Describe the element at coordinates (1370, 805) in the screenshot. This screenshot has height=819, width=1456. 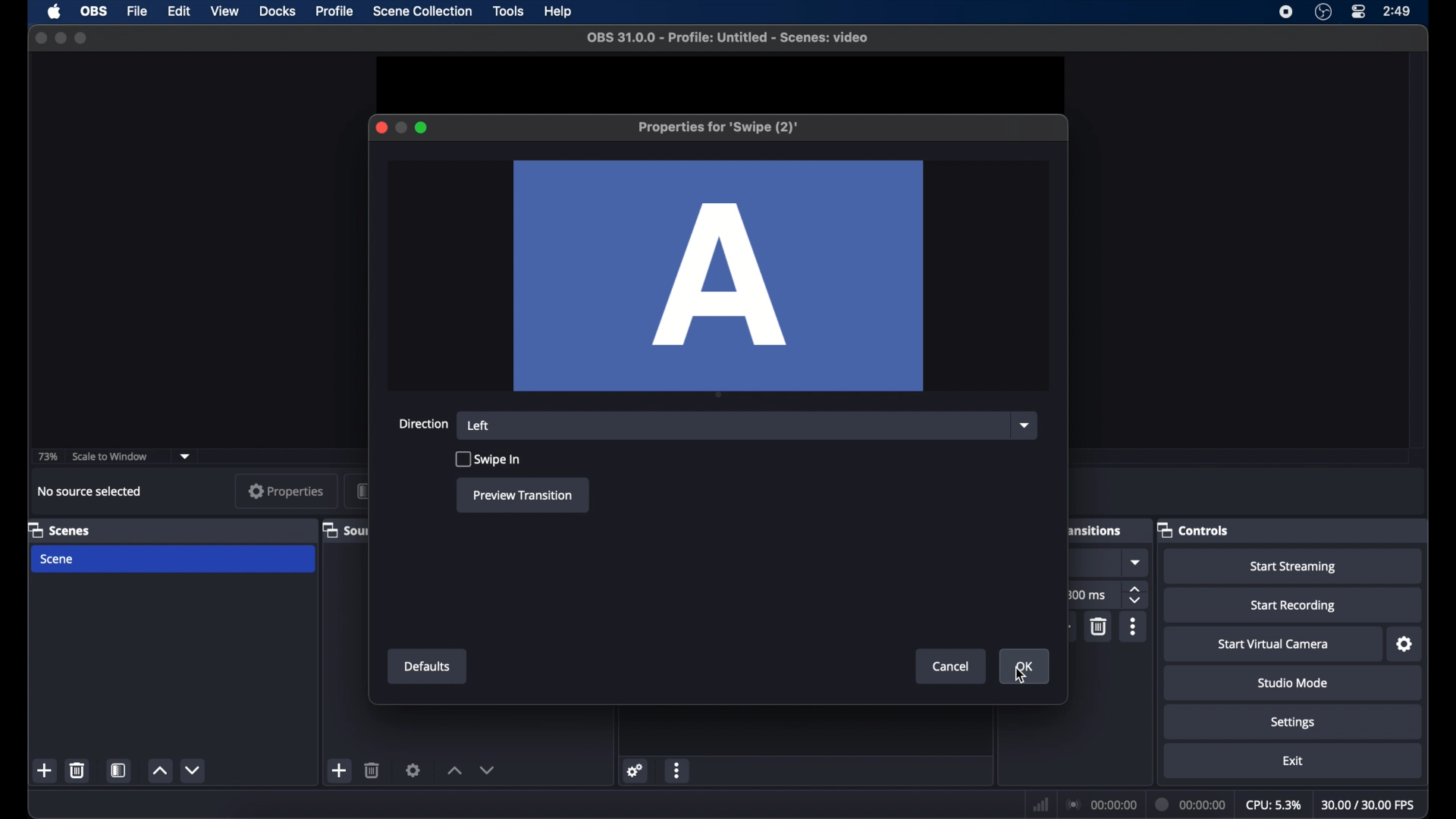
I see `fps` at that location.